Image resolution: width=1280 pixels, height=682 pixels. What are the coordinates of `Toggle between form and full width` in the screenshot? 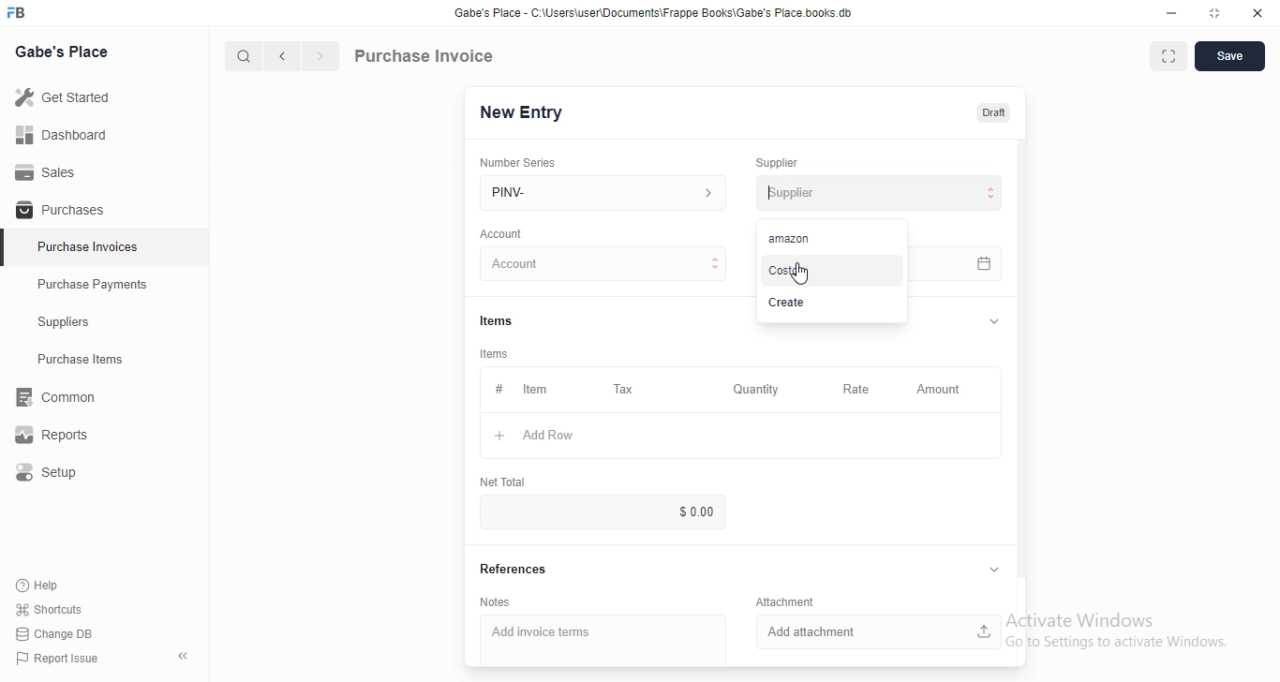 It's located at (1169, 56).